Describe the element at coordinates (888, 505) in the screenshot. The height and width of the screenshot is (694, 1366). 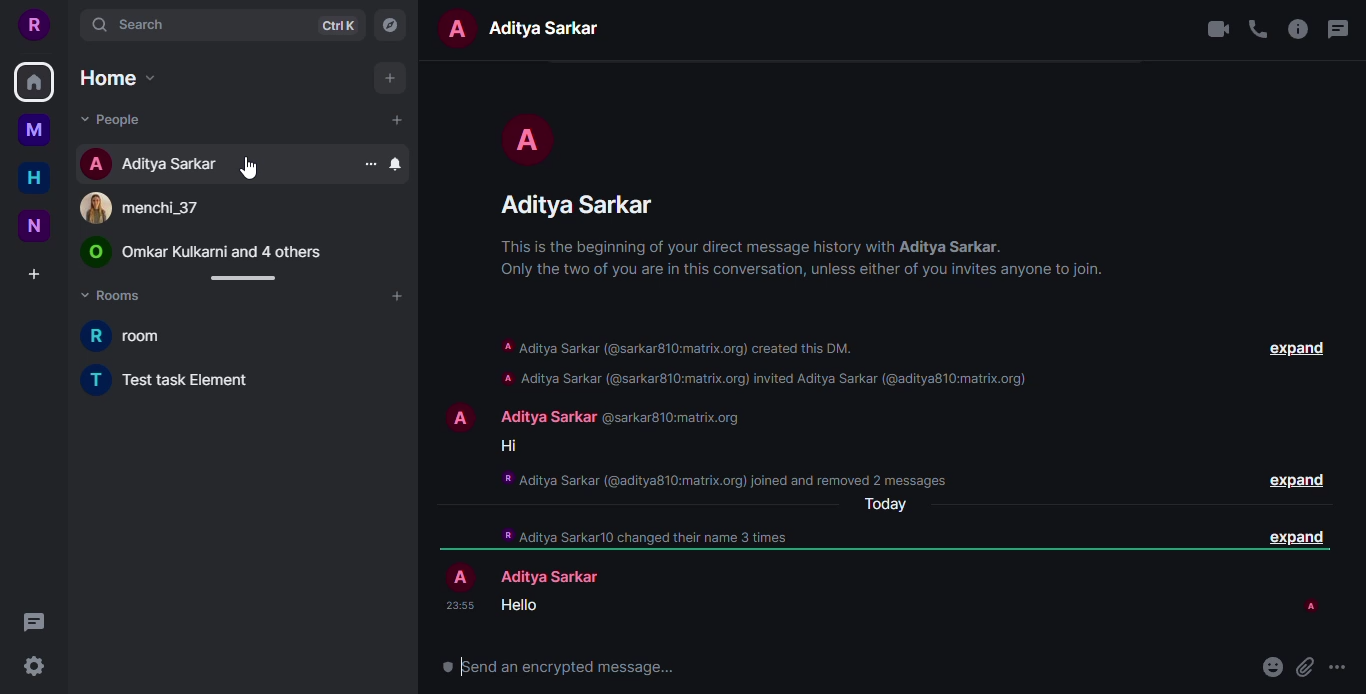
I see `today` at that location.